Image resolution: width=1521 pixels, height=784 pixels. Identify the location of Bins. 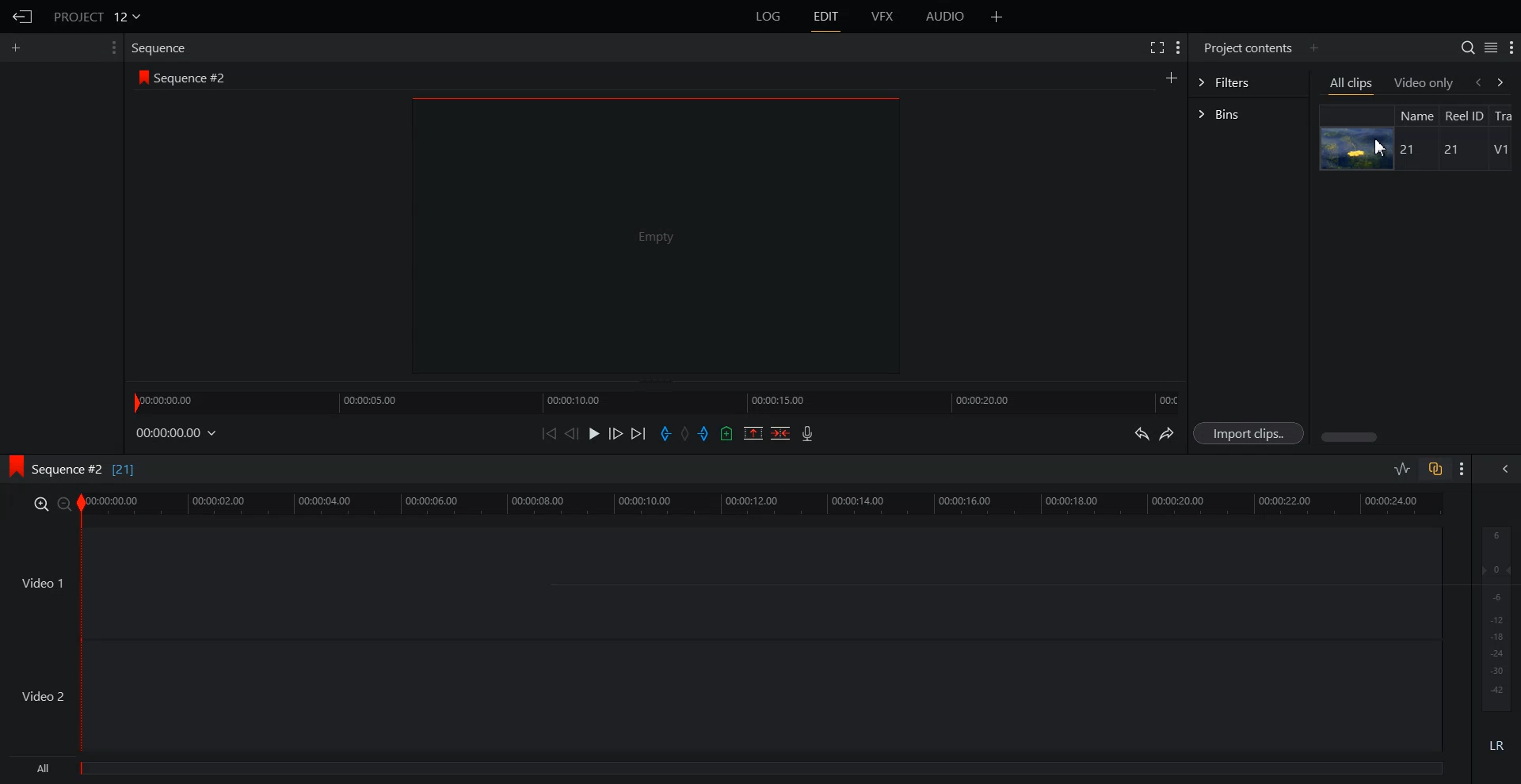
(1248, 114).